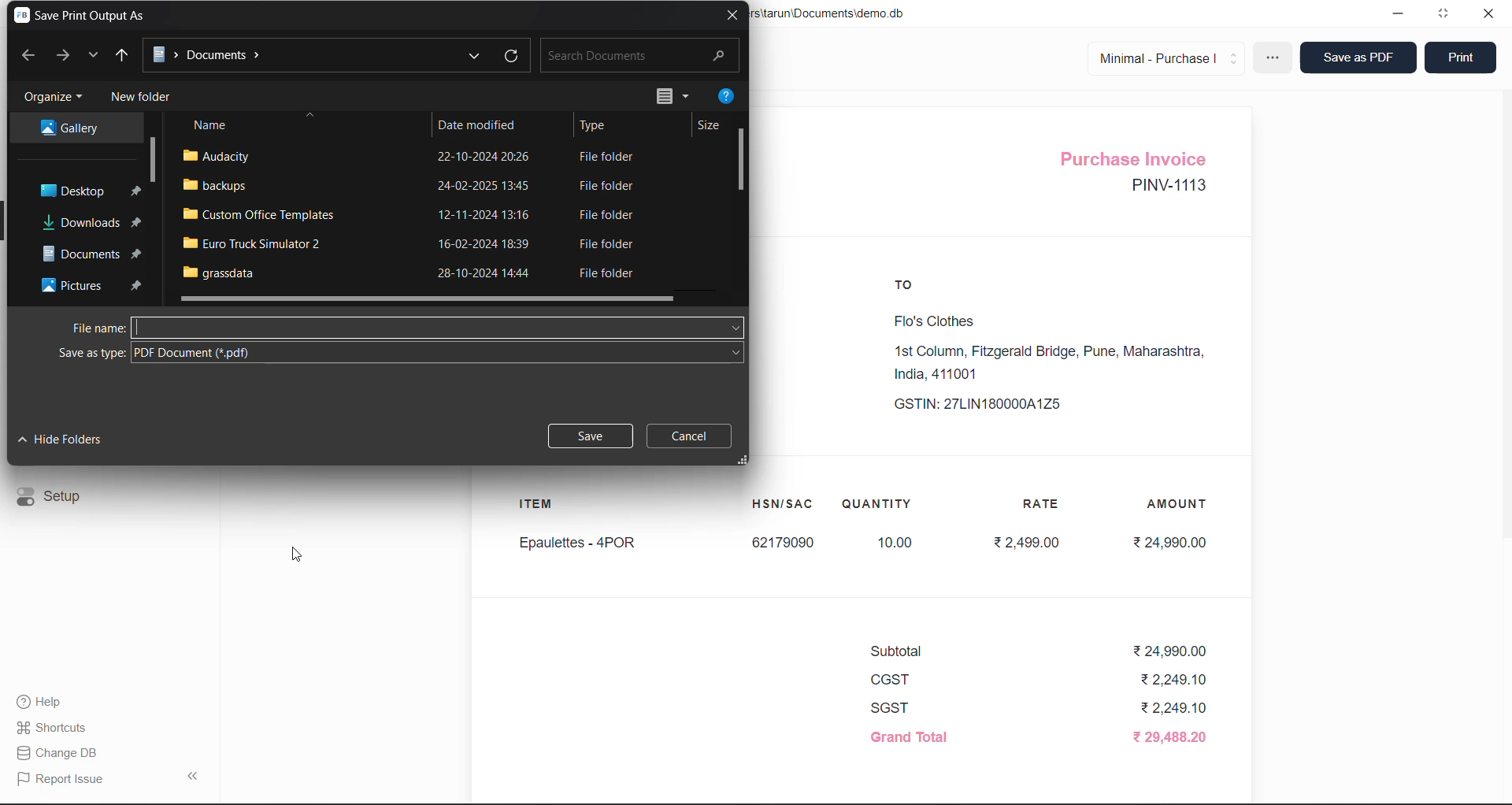 The width and height of the screenshot is (1512, 805). What do you see at coordinates (1044, 736) in the screenshot?
I see `Grand Total ₹ 29,488.20` at bounding box center [1044, 736].